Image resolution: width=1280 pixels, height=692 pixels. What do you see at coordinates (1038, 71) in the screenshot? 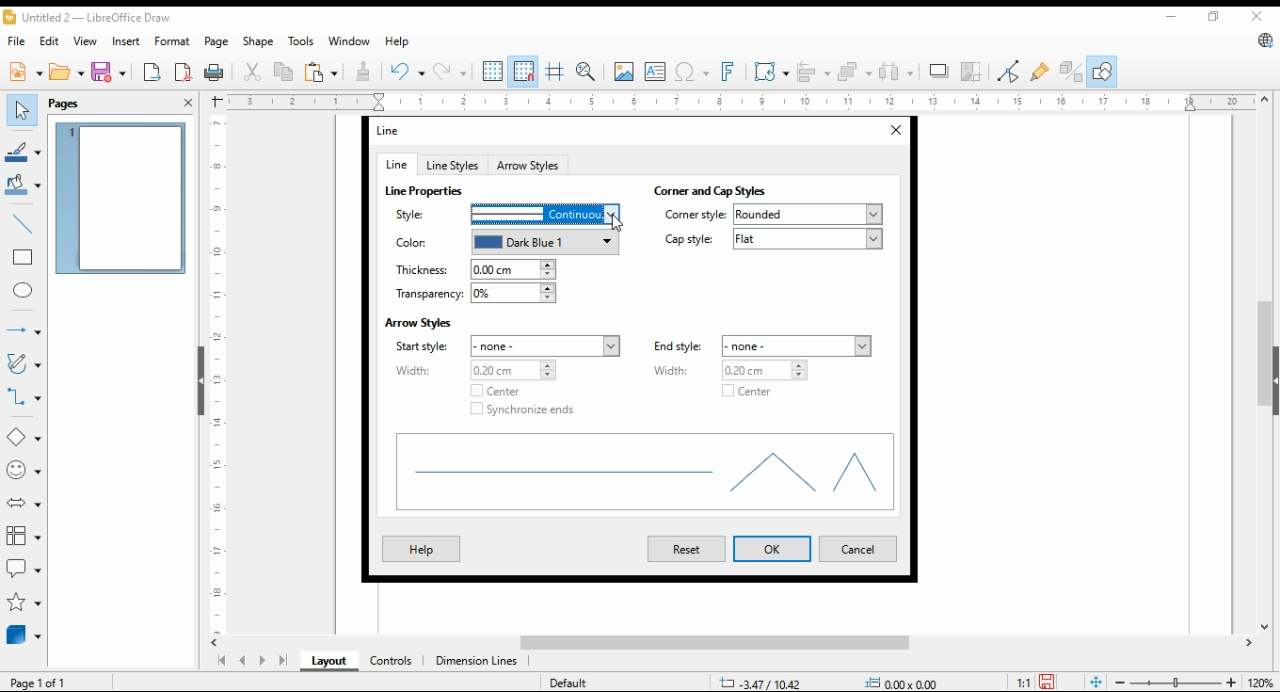
I see `show gluepoint functions` at bounding box center [1038, 71].